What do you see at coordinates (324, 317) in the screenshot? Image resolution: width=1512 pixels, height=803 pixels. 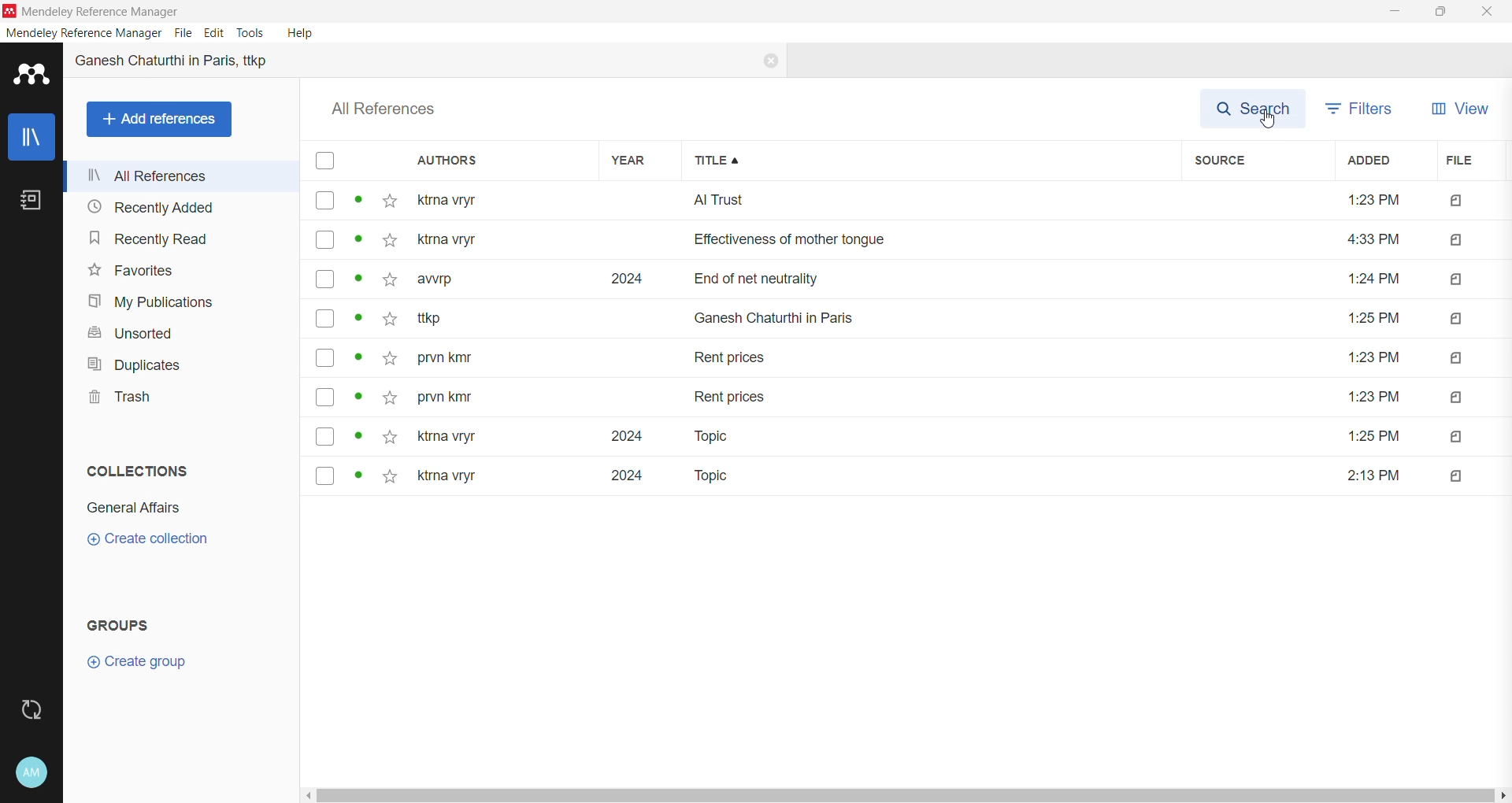 I see `select reference ` at bounding box center [324, 317].